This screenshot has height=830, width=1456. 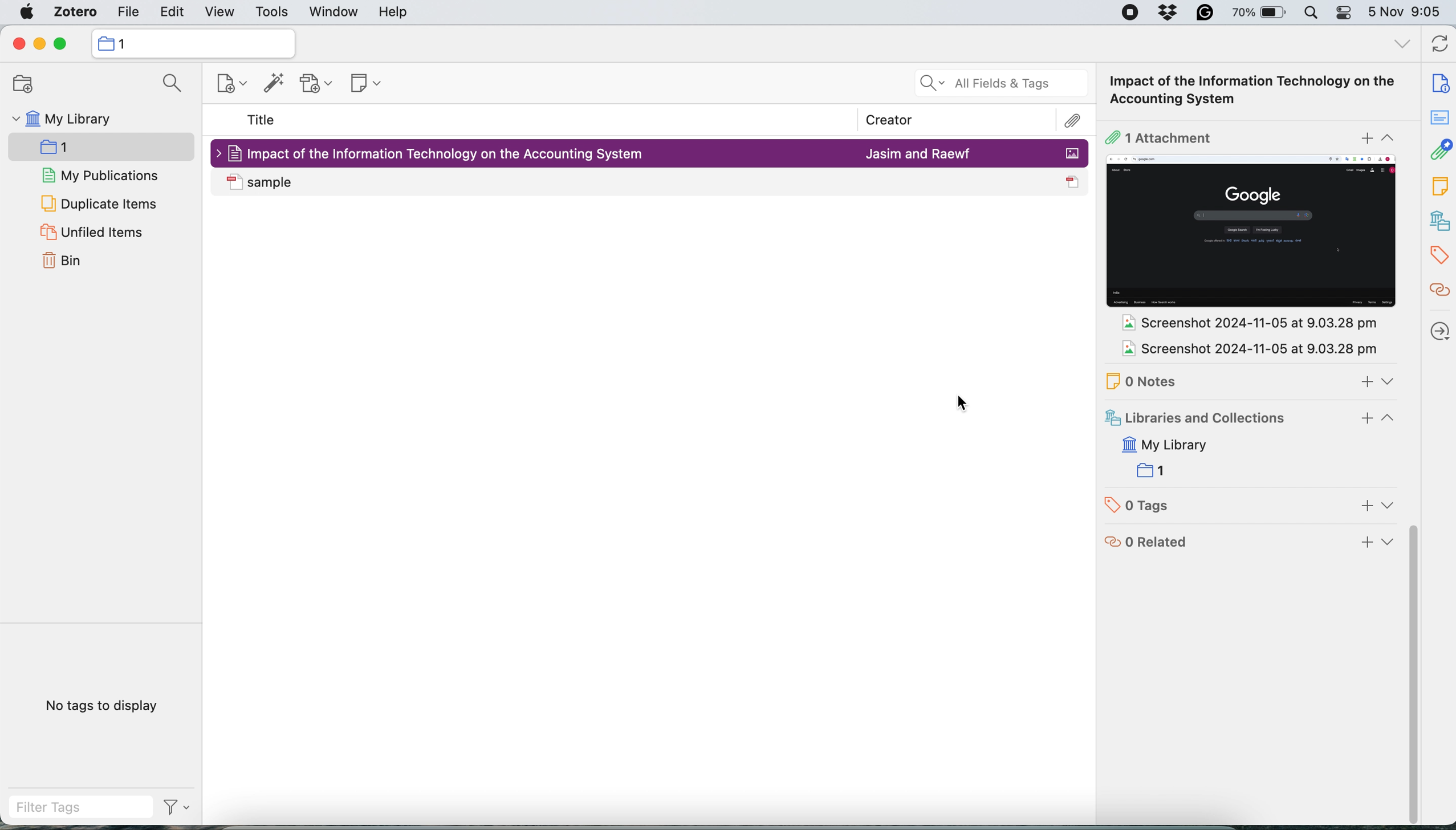 What do you see at coordinates (1202, 15) in the screenshot?
I see `grammarly` at bounding box center [1202, 15].